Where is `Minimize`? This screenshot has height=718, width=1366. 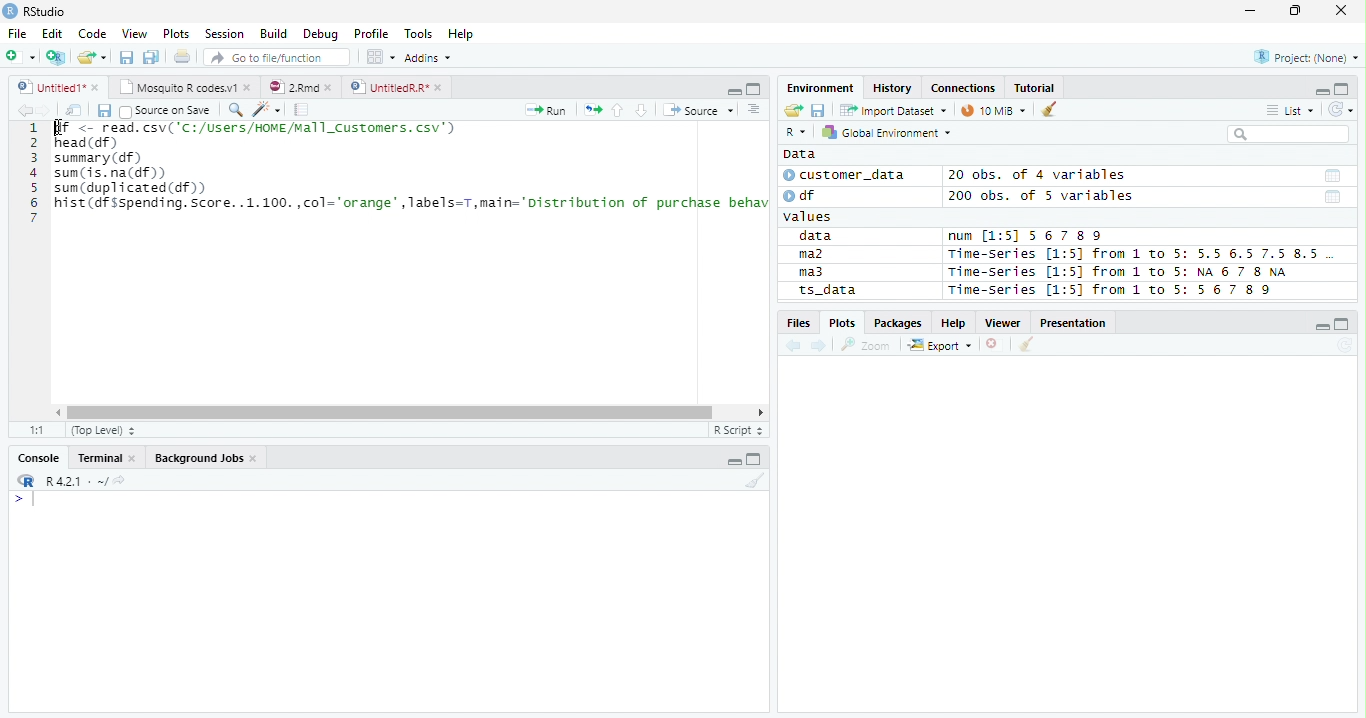 Minimize is located at coordinates (1249, 13).